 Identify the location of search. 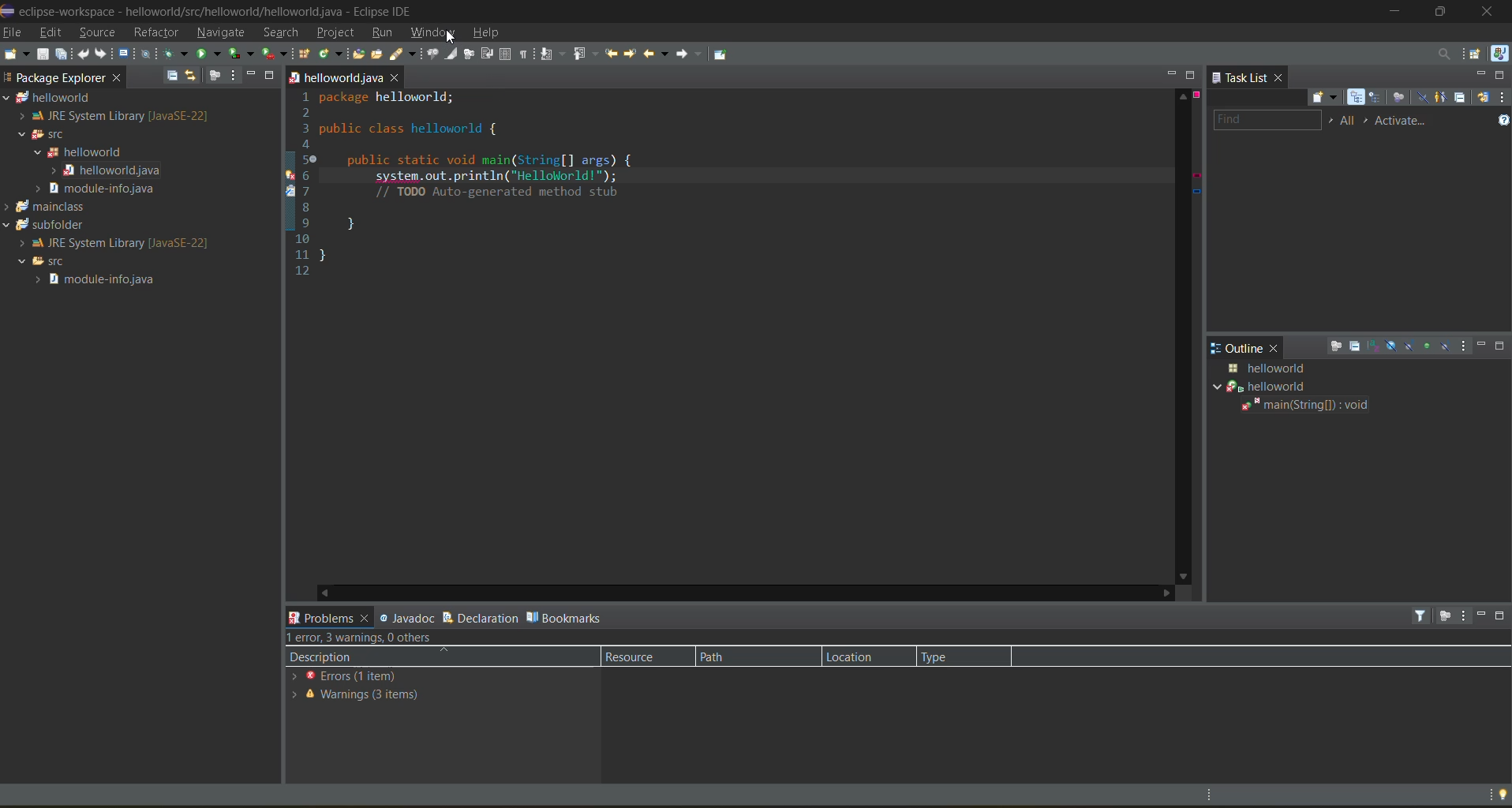
(279, 34).